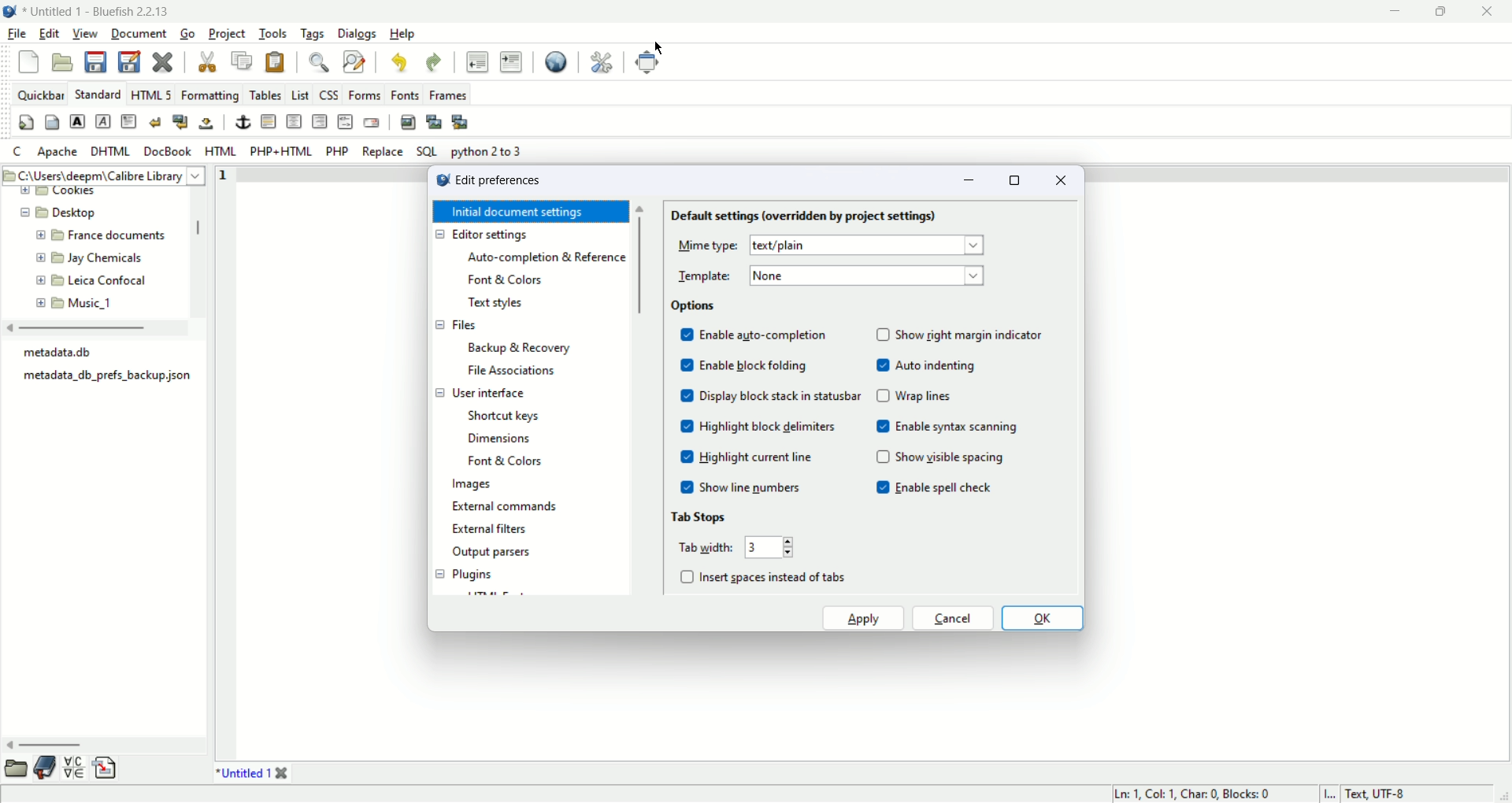  What do you see at coordinates (759, 363) in the screenshot?
I see `enable block folding` at bounding box center [759, 363].